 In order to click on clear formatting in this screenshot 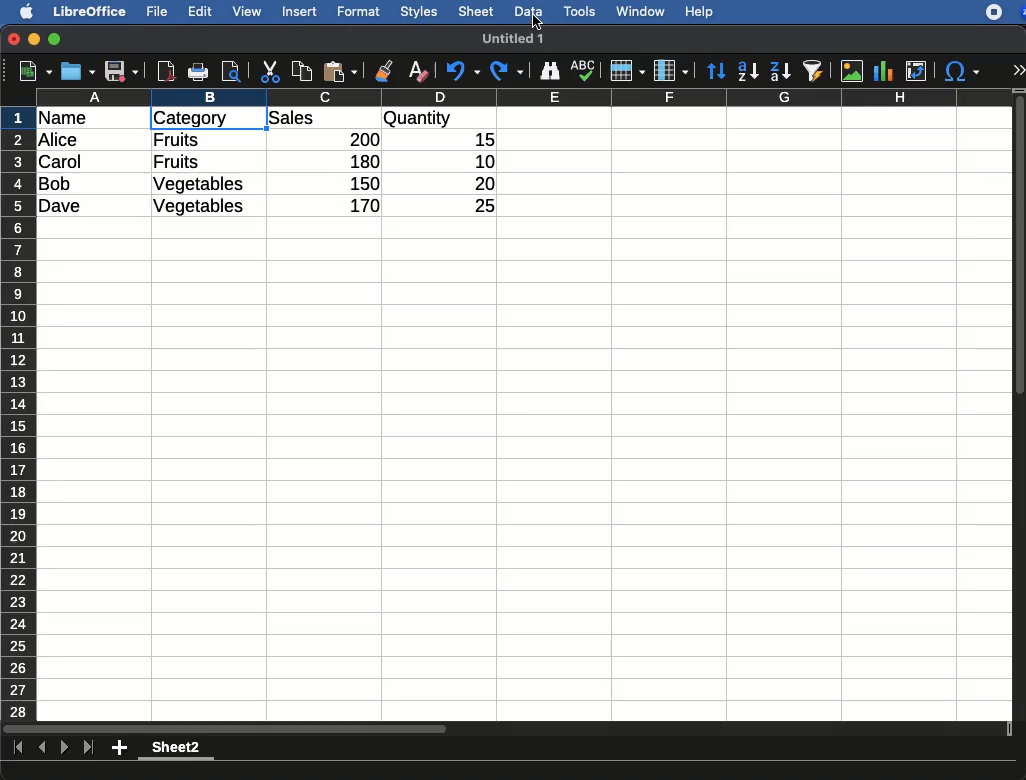, I will do `click(417, 72)`.